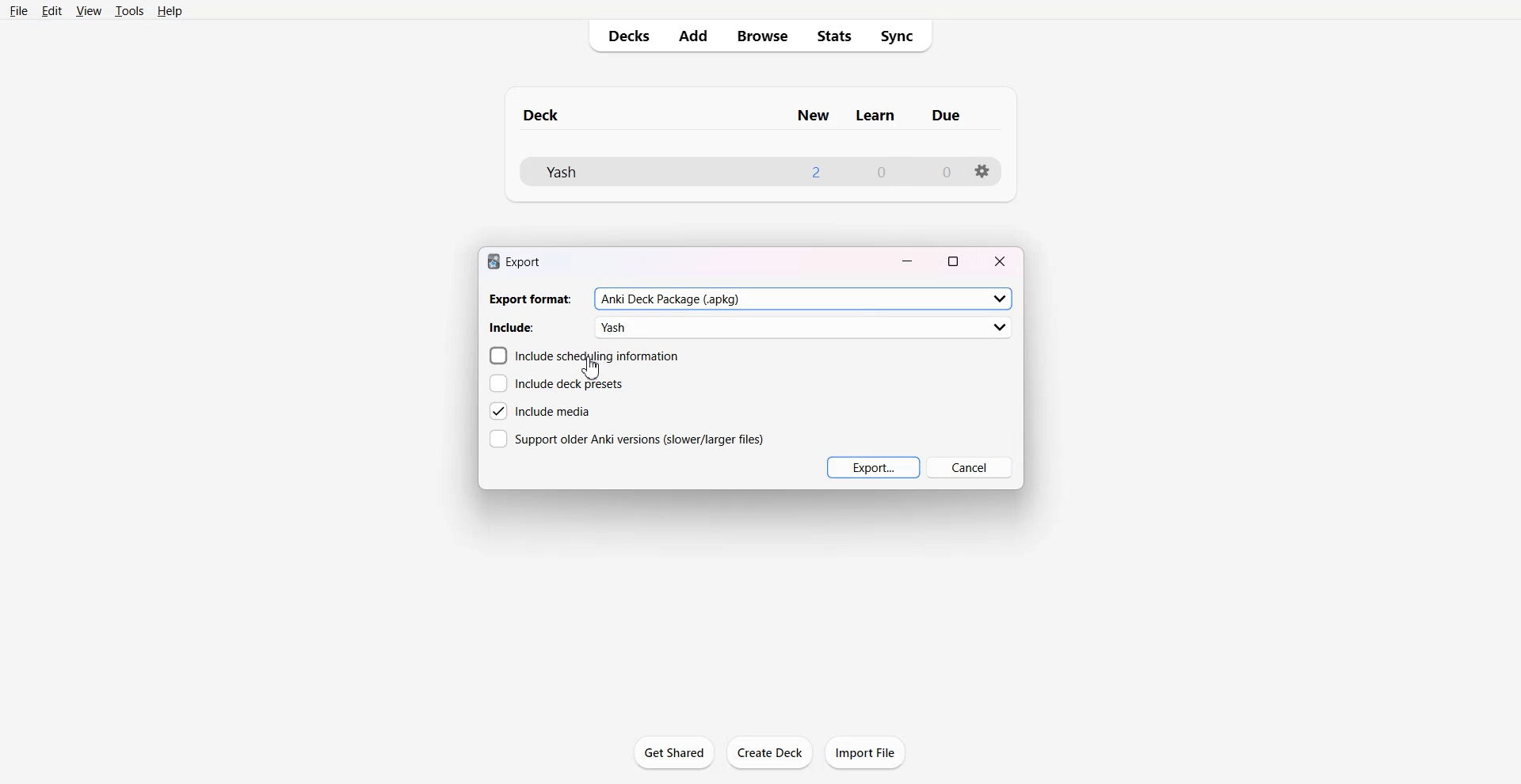  Describe the element at coordinates (835, 36) in the screenshot. I see `Stats` at that location.